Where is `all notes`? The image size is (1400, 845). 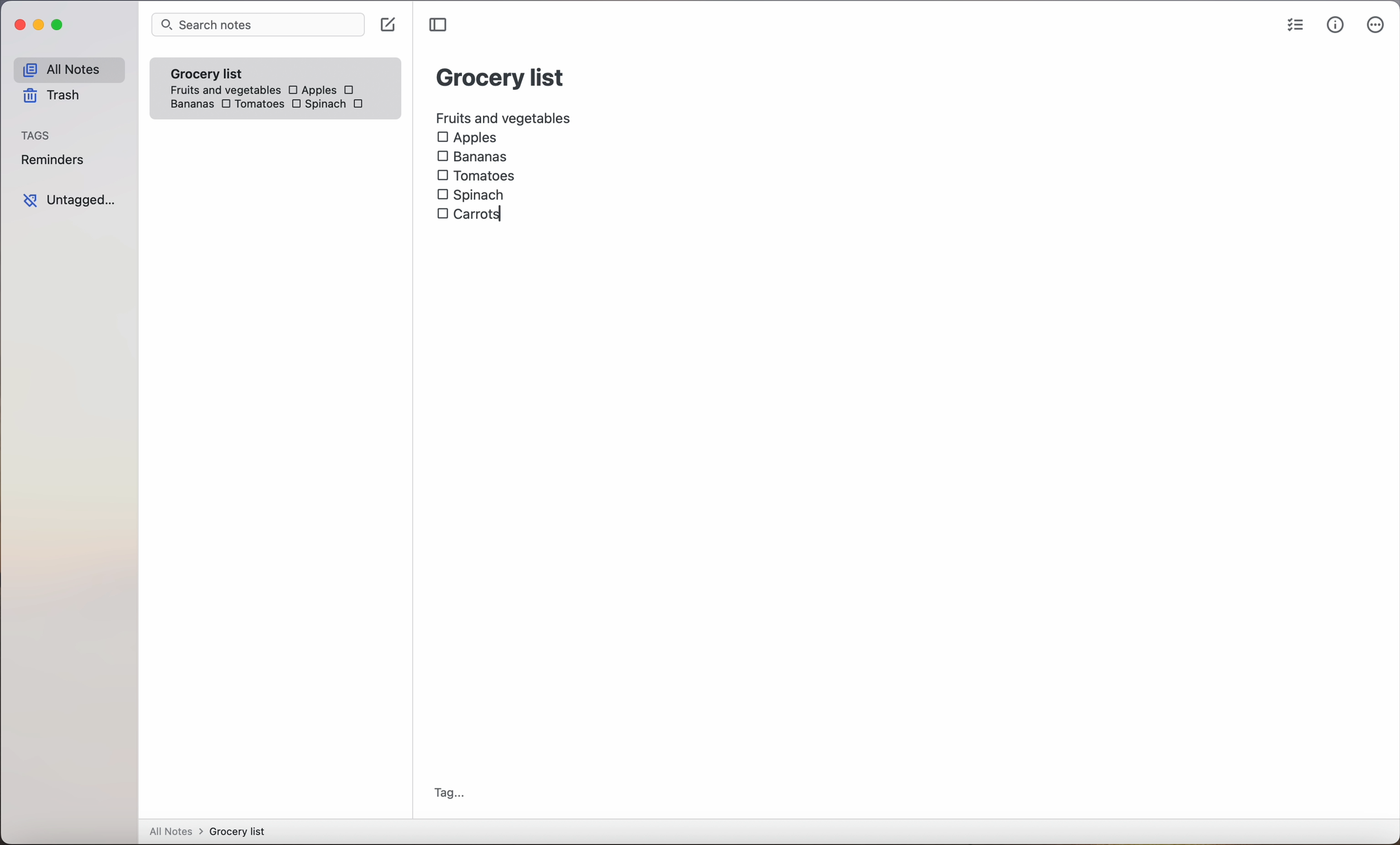 all notes is located at coordinates (68, 70).